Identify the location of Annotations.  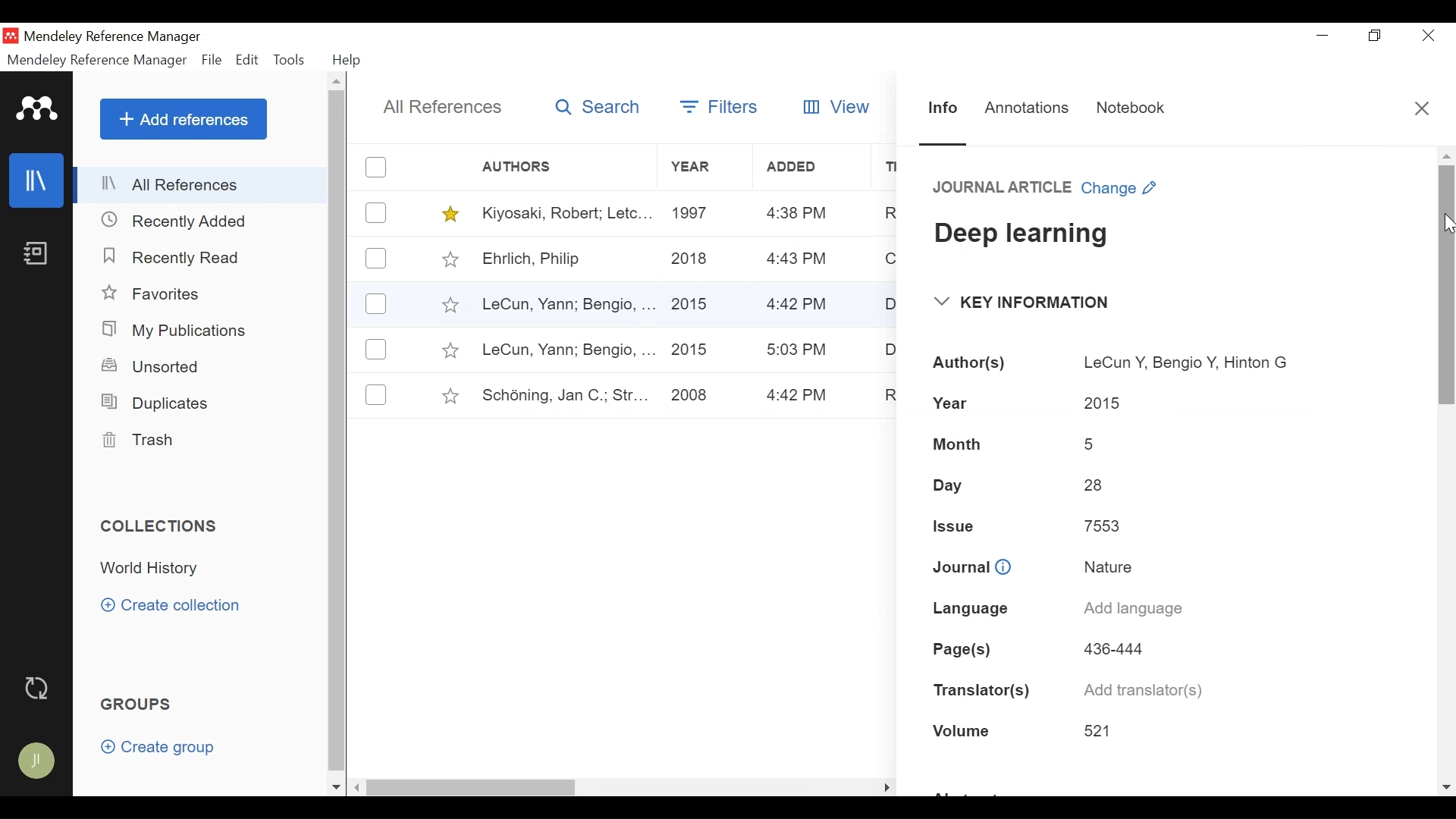
(1028, 108).